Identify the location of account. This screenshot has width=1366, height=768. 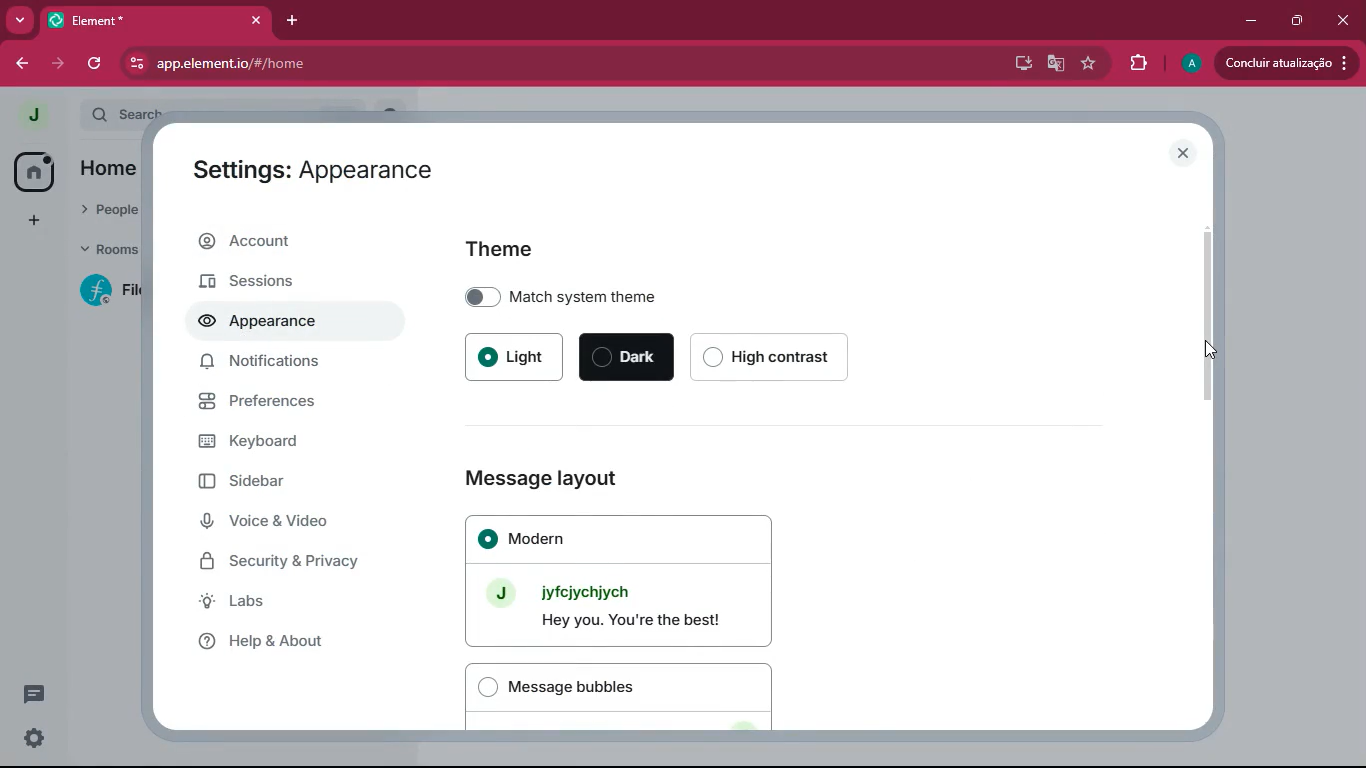
(286, 243).